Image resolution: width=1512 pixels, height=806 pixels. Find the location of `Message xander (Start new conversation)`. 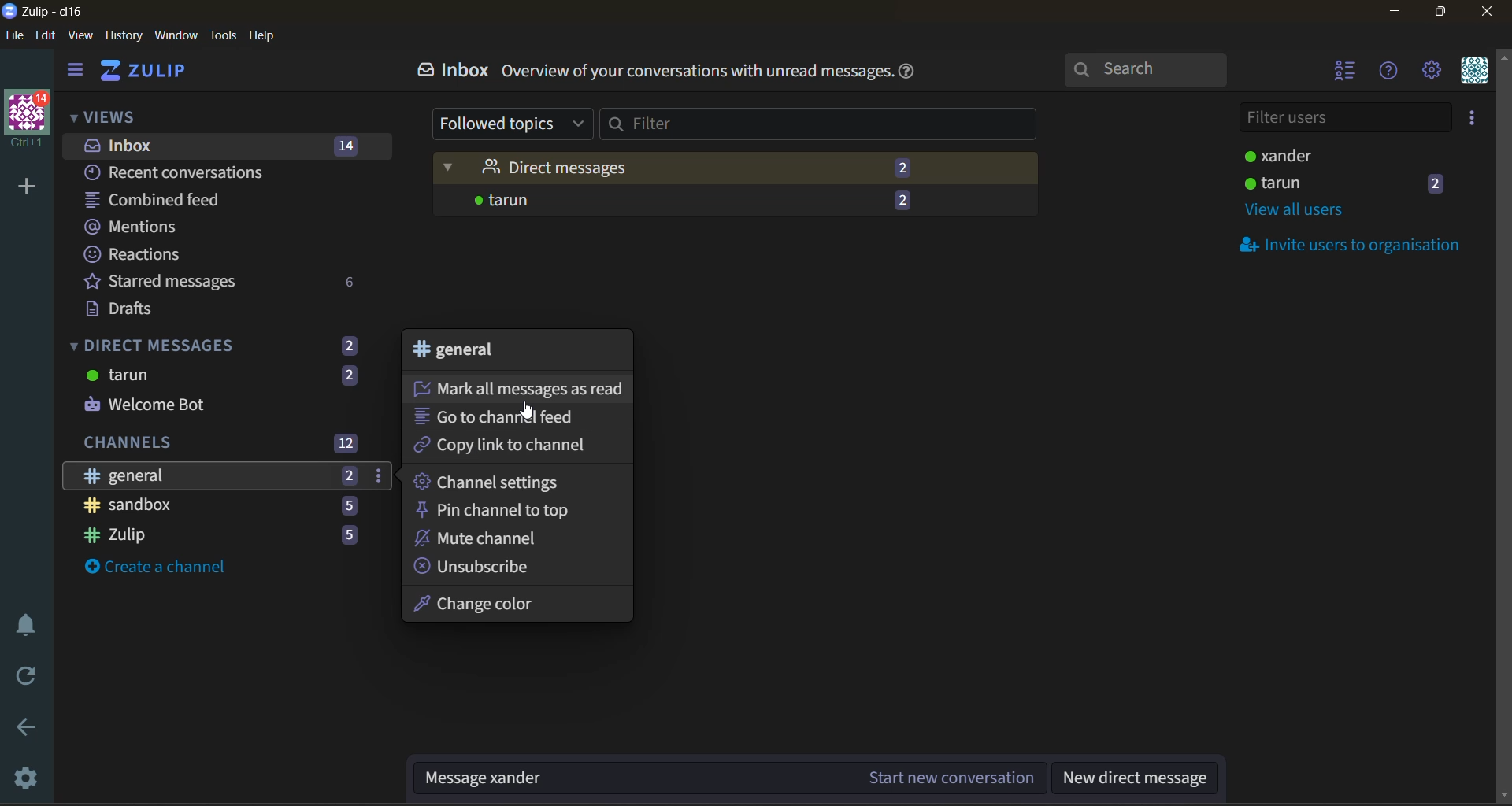

Message xander (Start new conversation) is located at coordinates (725, 779).